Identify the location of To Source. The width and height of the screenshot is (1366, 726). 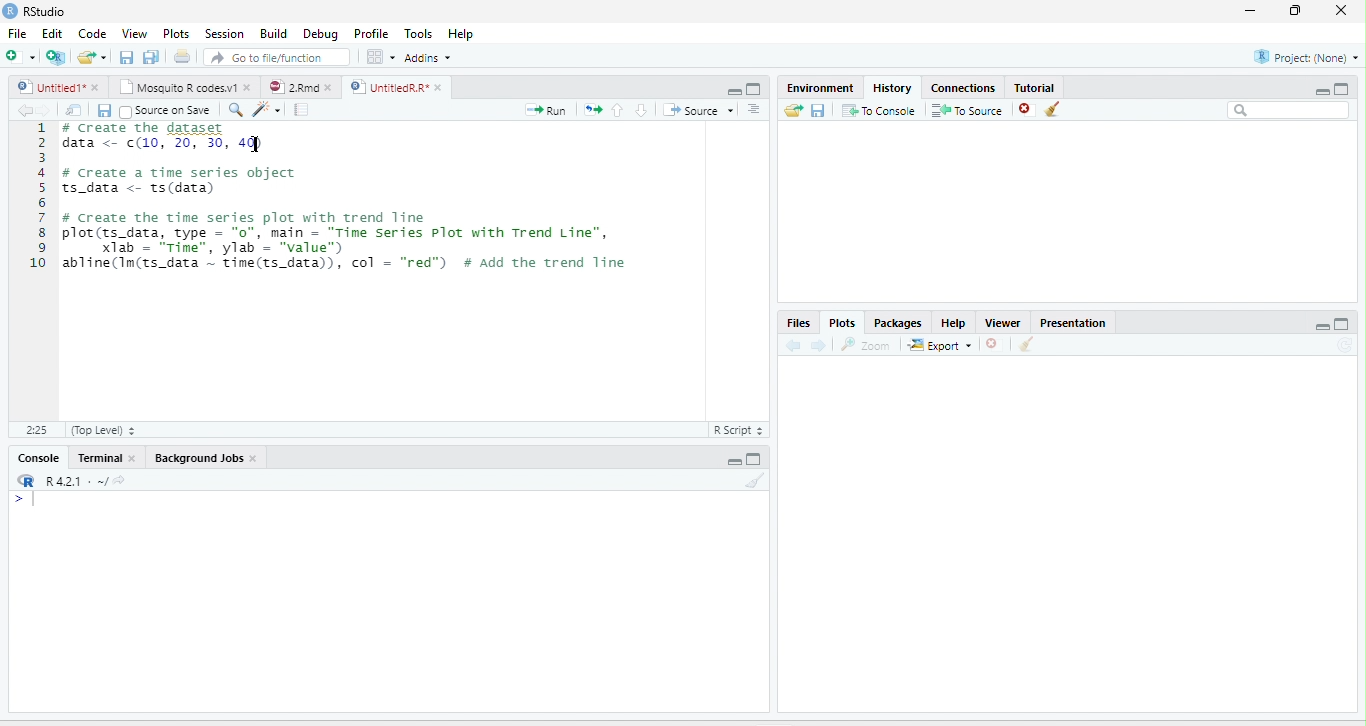
(966, 110).